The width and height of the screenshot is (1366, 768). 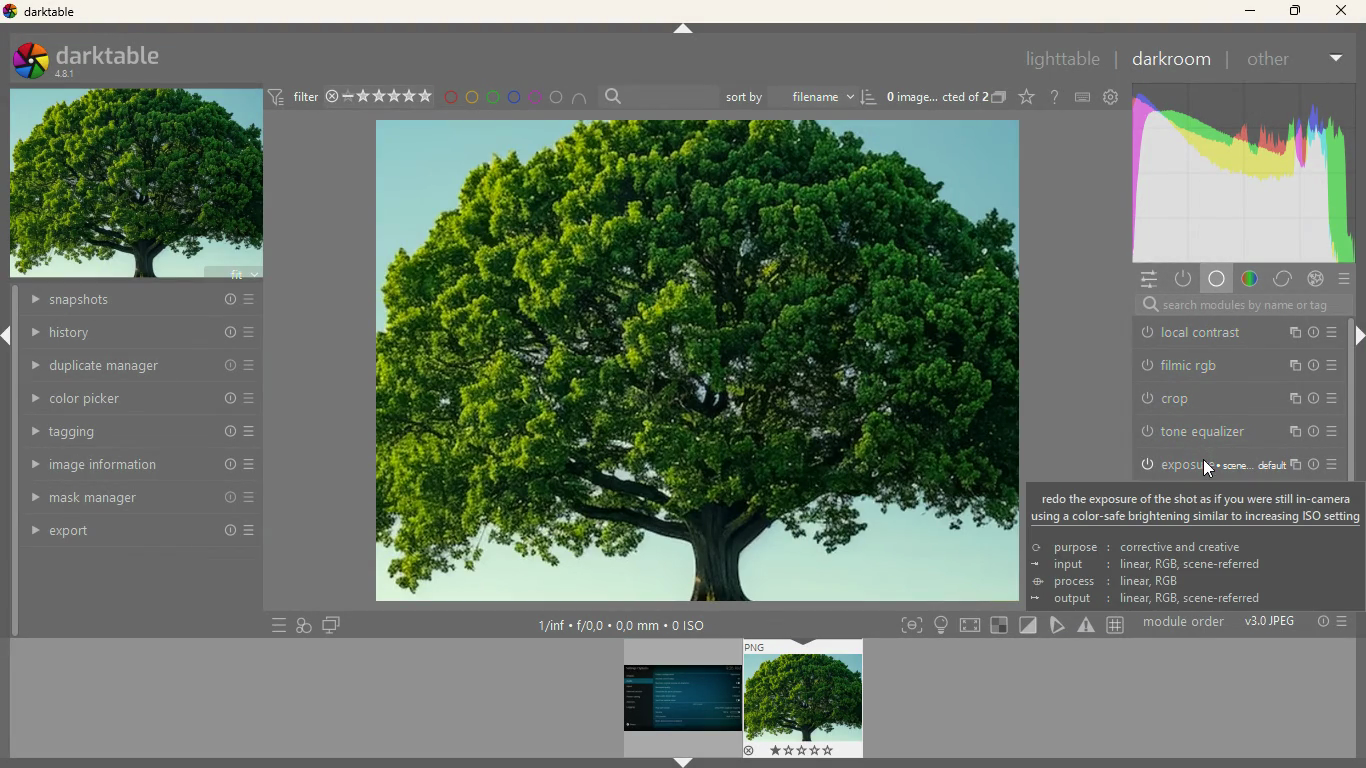 What do you see at coordinates (1341, 281) in the screenshot?
I see `more` at bounding box center [1341, 281].